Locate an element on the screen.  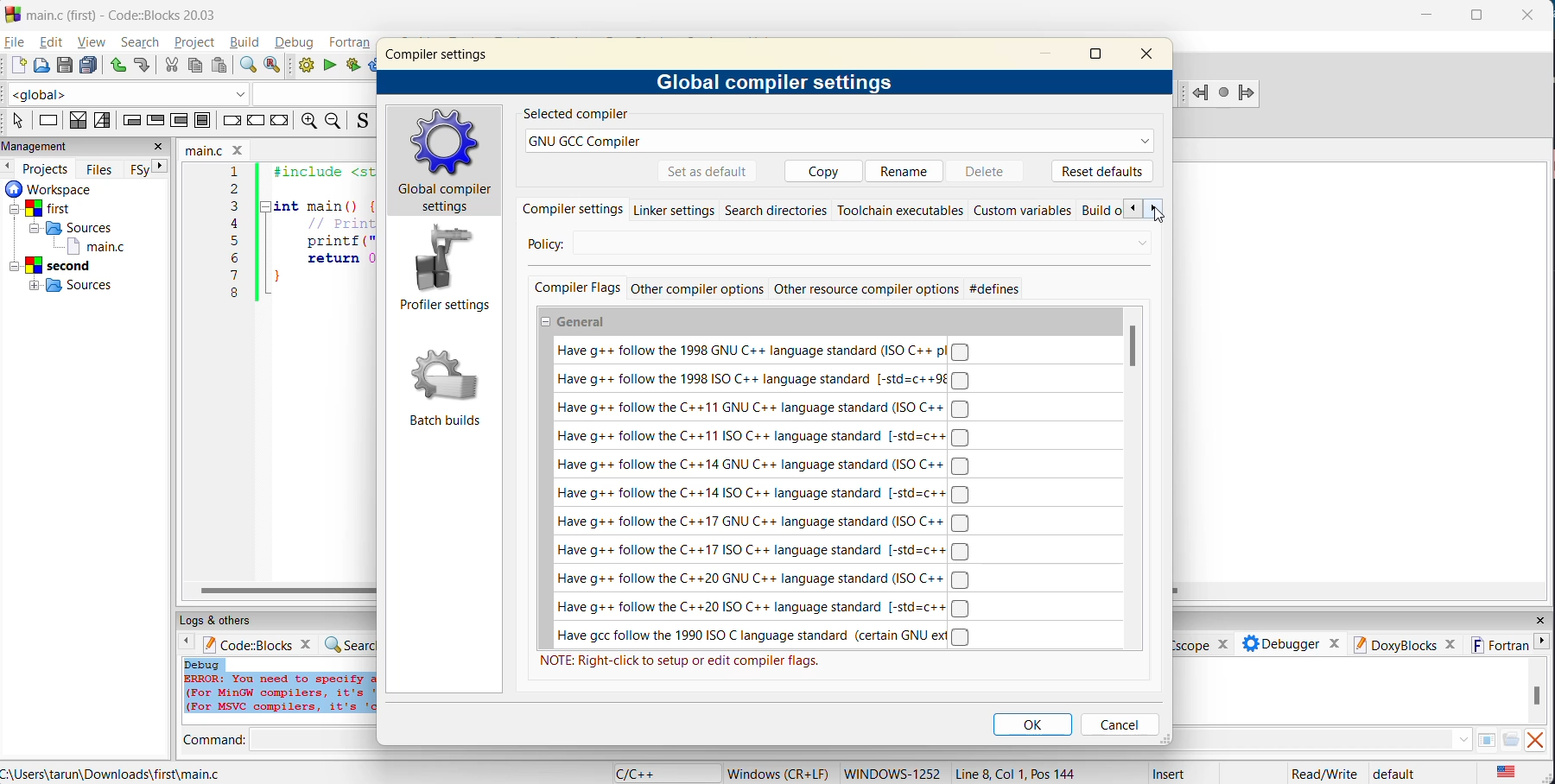
selected compiler is located at coordinates (581, 116).